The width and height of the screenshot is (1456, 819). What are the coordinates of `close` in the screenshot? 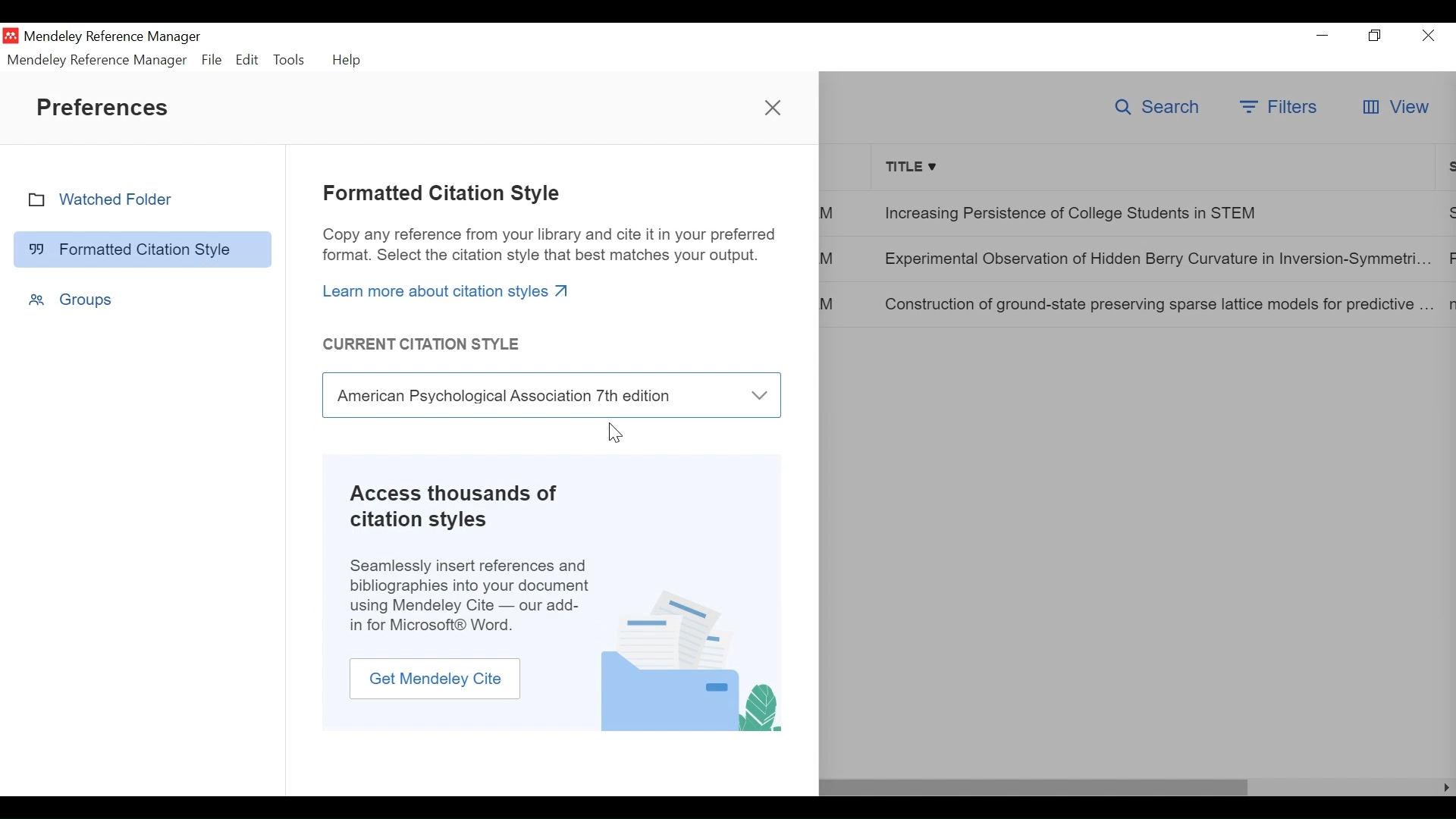 It's located at (775, 111).